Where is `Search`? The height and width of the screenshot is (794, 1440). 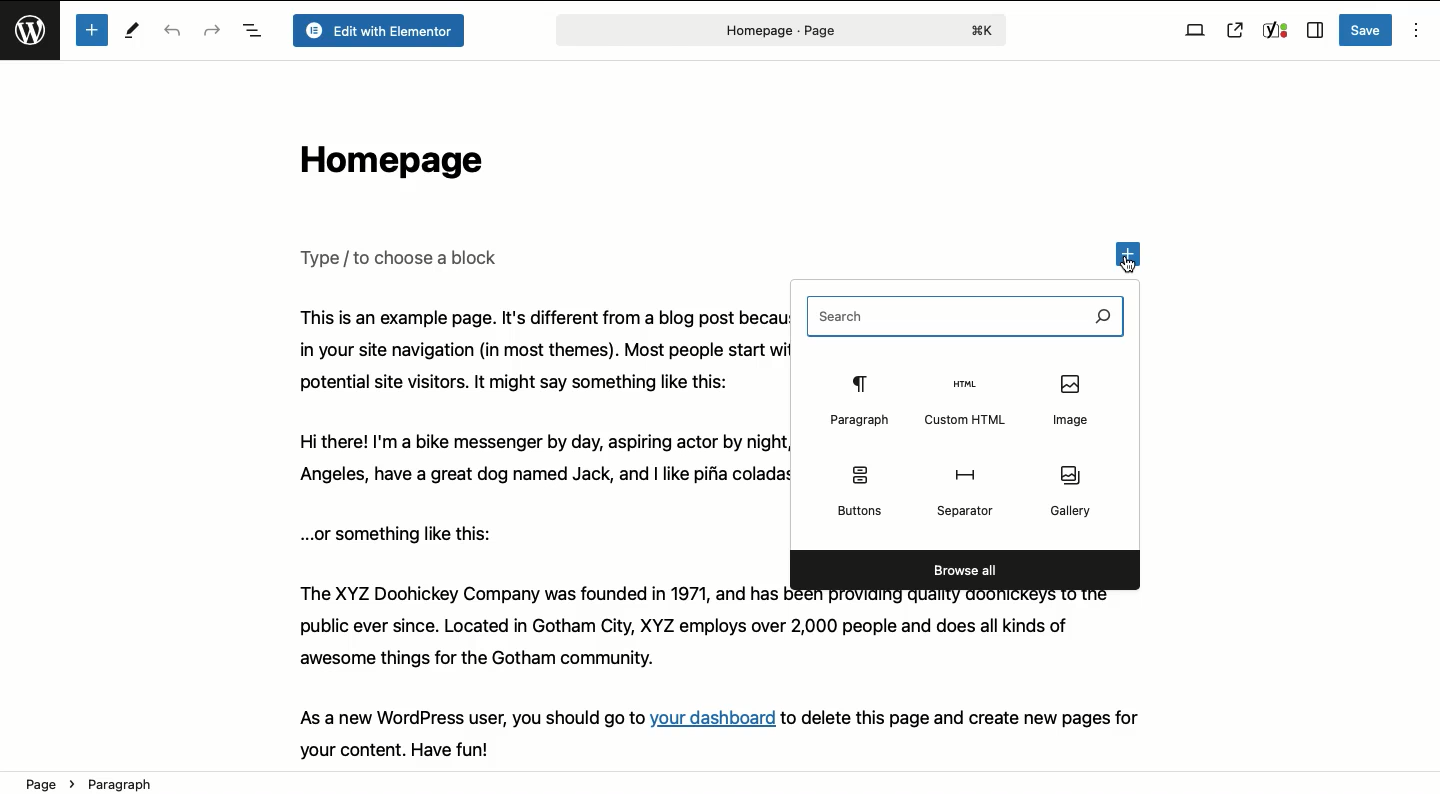 Search is located at coordinates (966, 316).